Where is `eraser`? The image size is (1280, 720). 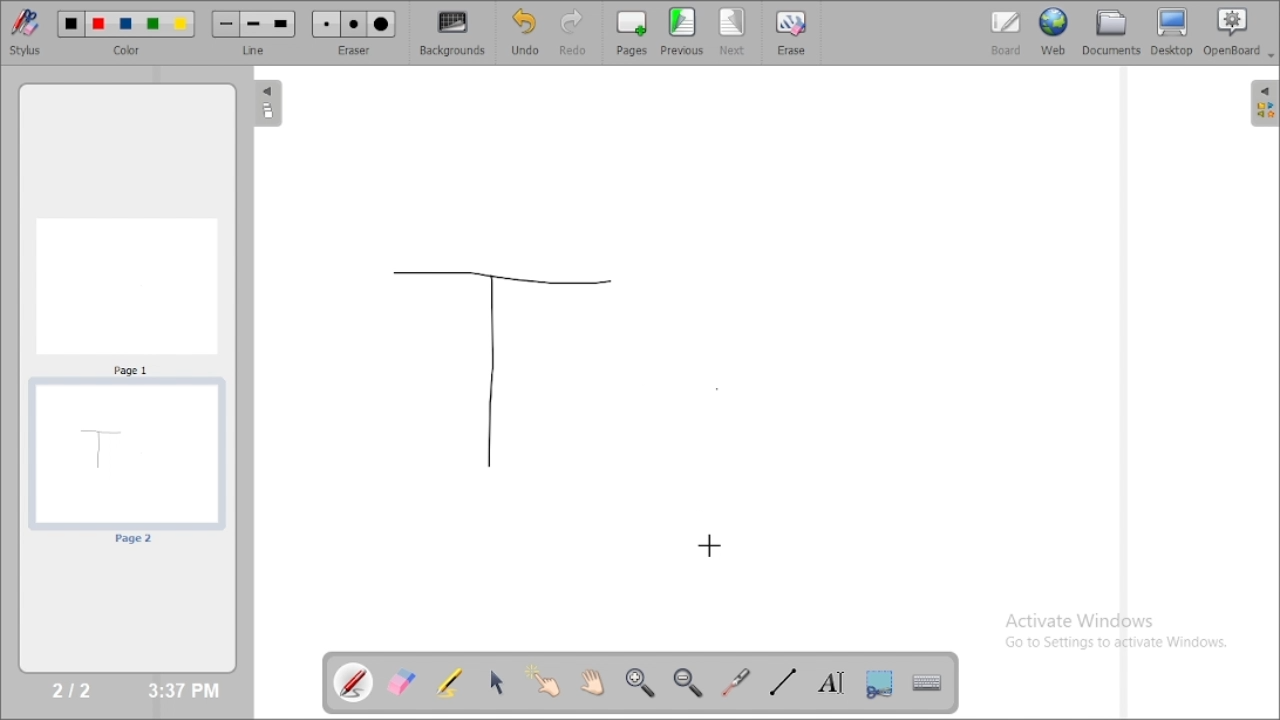 eraser is located at coordinates (354, 50).